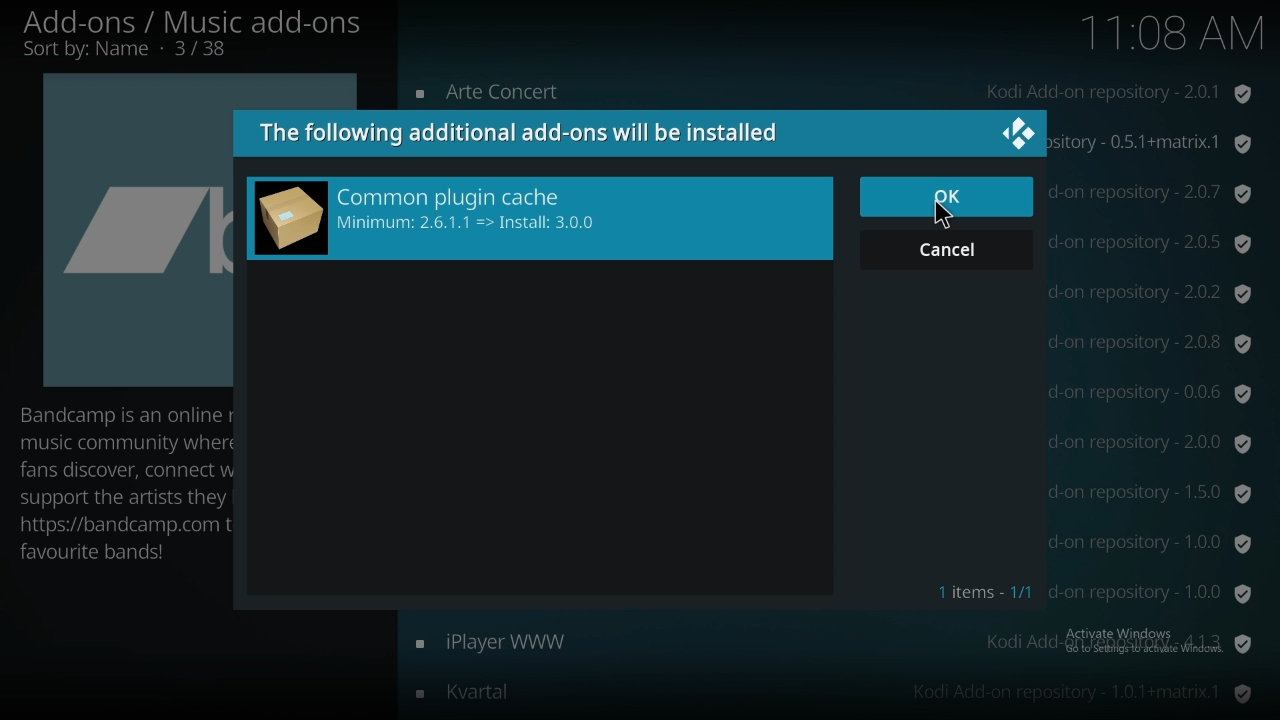 This screenshot has height=720, width=1280. Describe the element at coordinates (985, 590) in the screenshot. I see `1 items` at that location.